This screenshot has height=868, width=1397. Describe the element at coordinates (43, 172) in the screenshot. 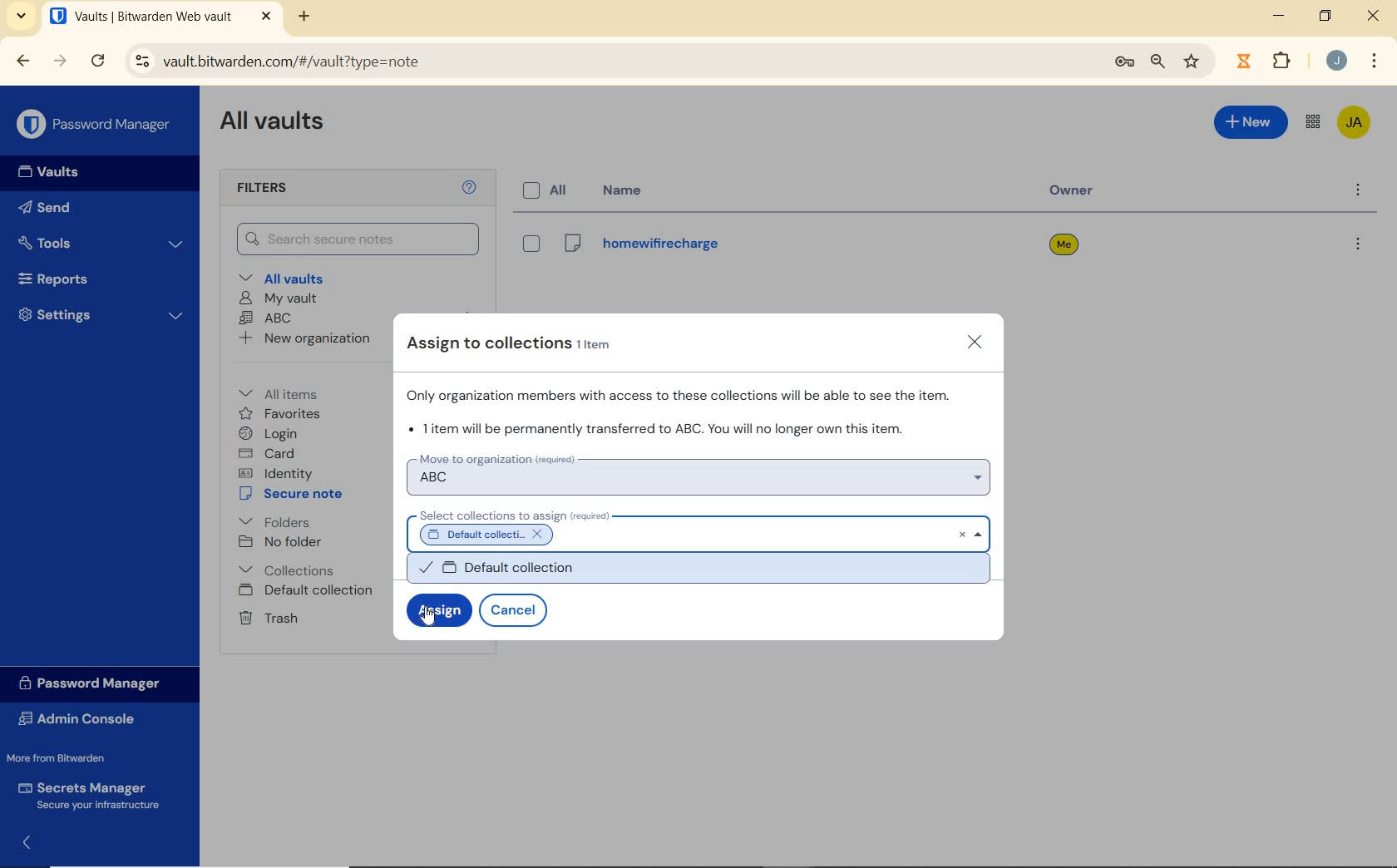

I see `Vaults` at that location.